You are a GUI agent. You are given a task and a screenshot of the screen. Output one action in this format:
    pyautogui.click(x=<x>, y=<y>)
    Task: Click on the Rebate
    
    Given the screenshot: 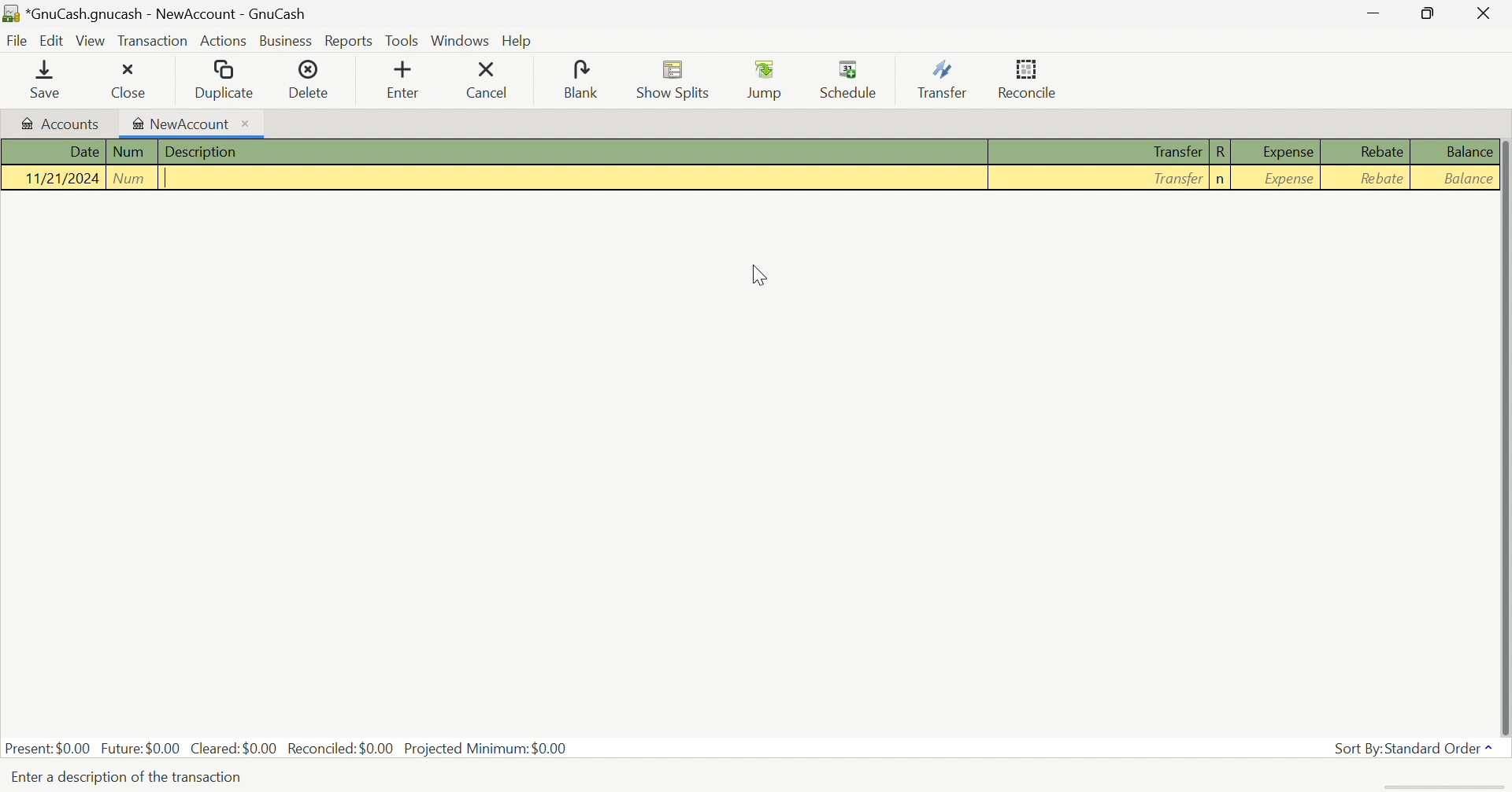 What is the action you would take?
    pyautogui.click(x=1380, y=152)
    